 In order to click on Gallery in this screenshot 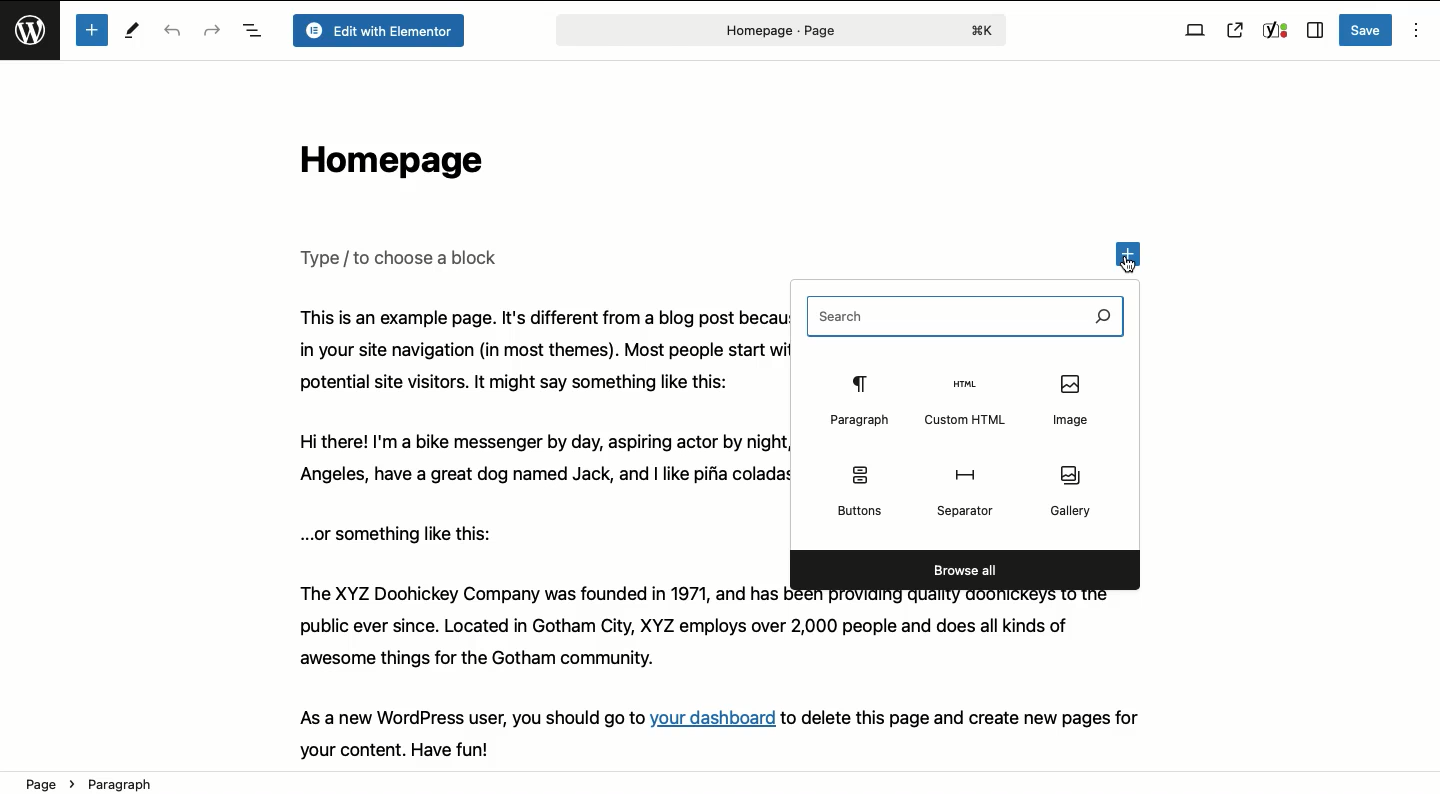, I will do `click(1073, 489)`.